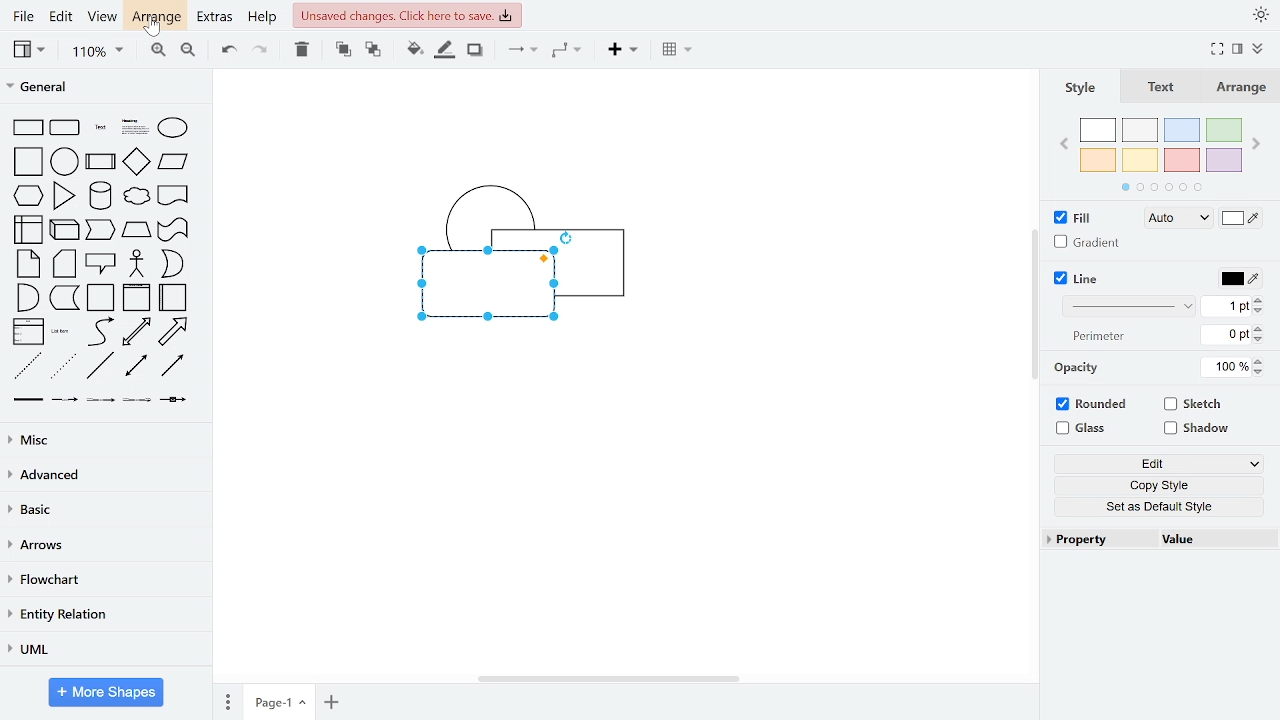 The image size is (1280, 720). I want to click on 0pt, so click(1226, 335).